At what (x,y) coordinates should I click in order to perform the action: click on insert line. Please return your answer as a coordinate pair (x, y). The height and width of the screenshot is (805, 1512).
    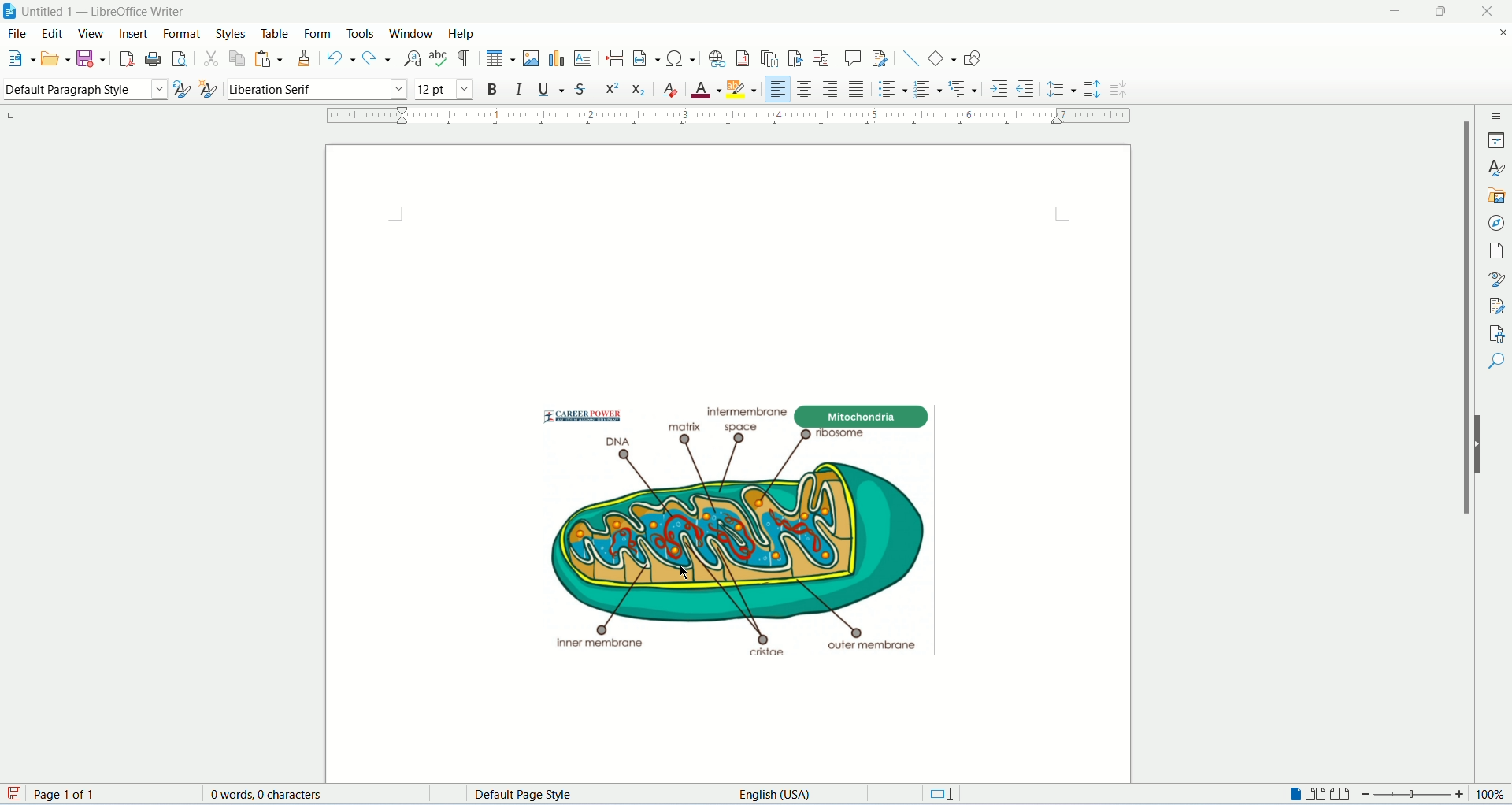
    Looking at the image, I should click on (911, 58).